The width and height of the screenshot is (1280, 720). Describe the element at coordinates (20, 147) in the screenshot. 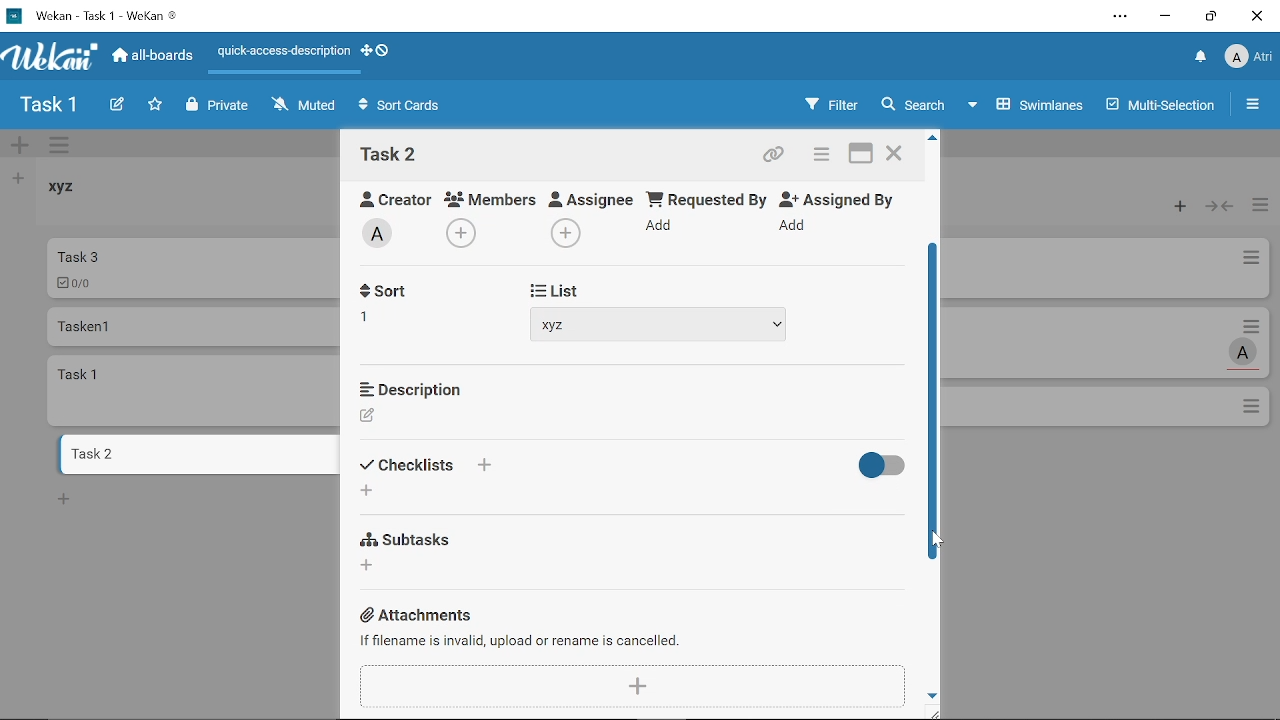

I see `Add swimlane` at that location.